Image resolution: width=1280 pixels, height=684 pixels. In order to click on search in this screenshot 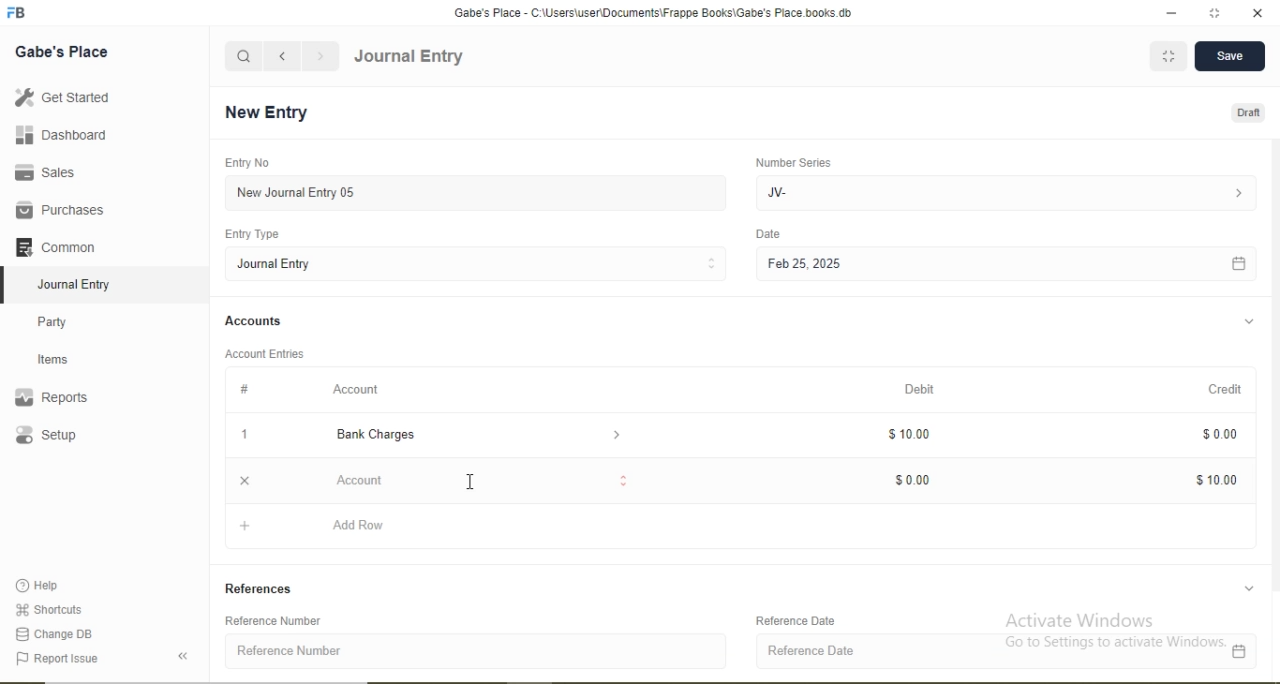, I will do `click(244, 56)`.